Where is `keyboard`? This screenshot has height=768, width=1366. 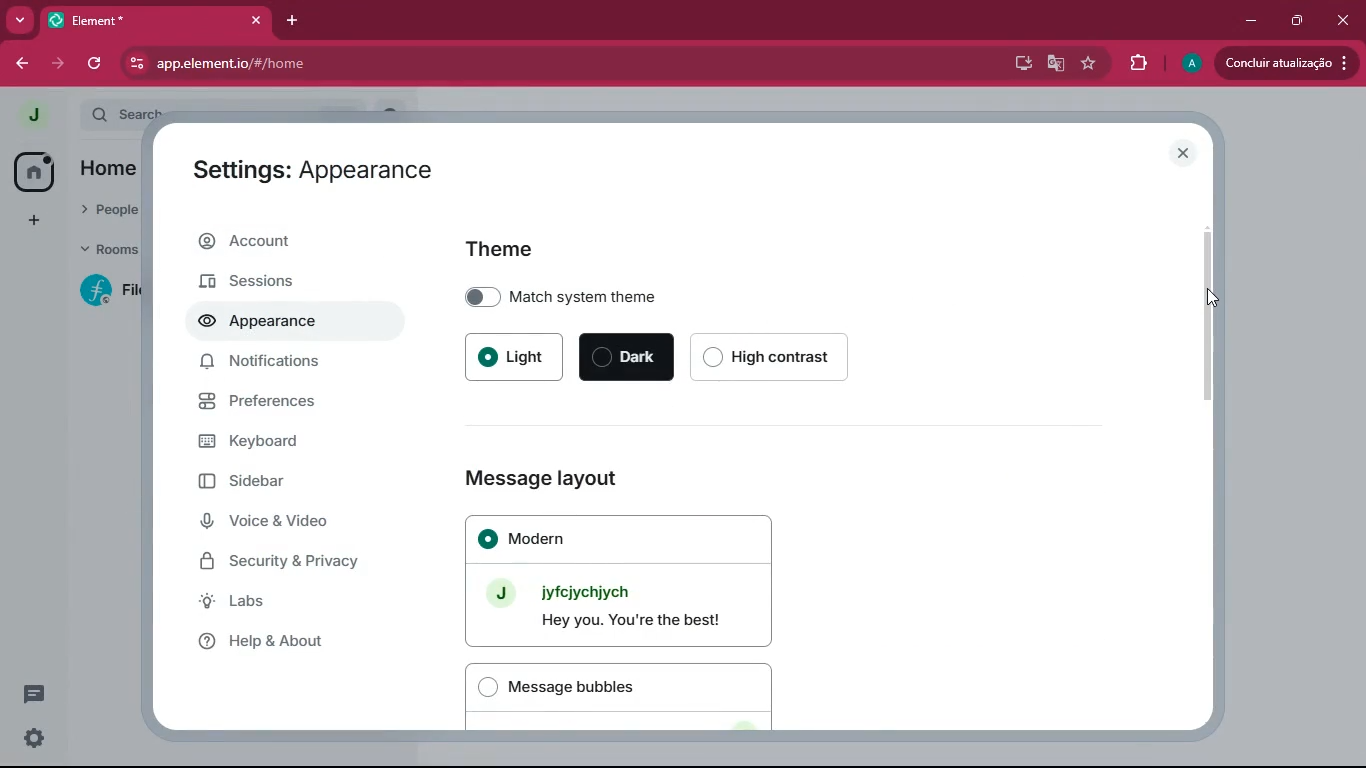 keyboard is located at coordinates (277, 444).